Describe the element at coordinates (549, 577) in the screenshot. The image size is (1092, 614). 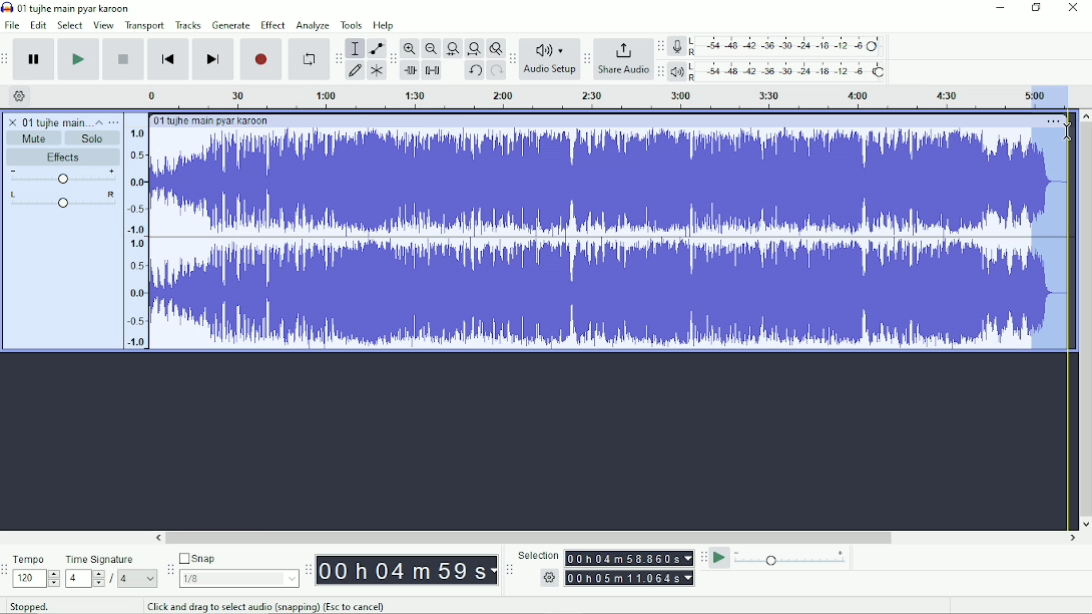
I see `settings` at that location.